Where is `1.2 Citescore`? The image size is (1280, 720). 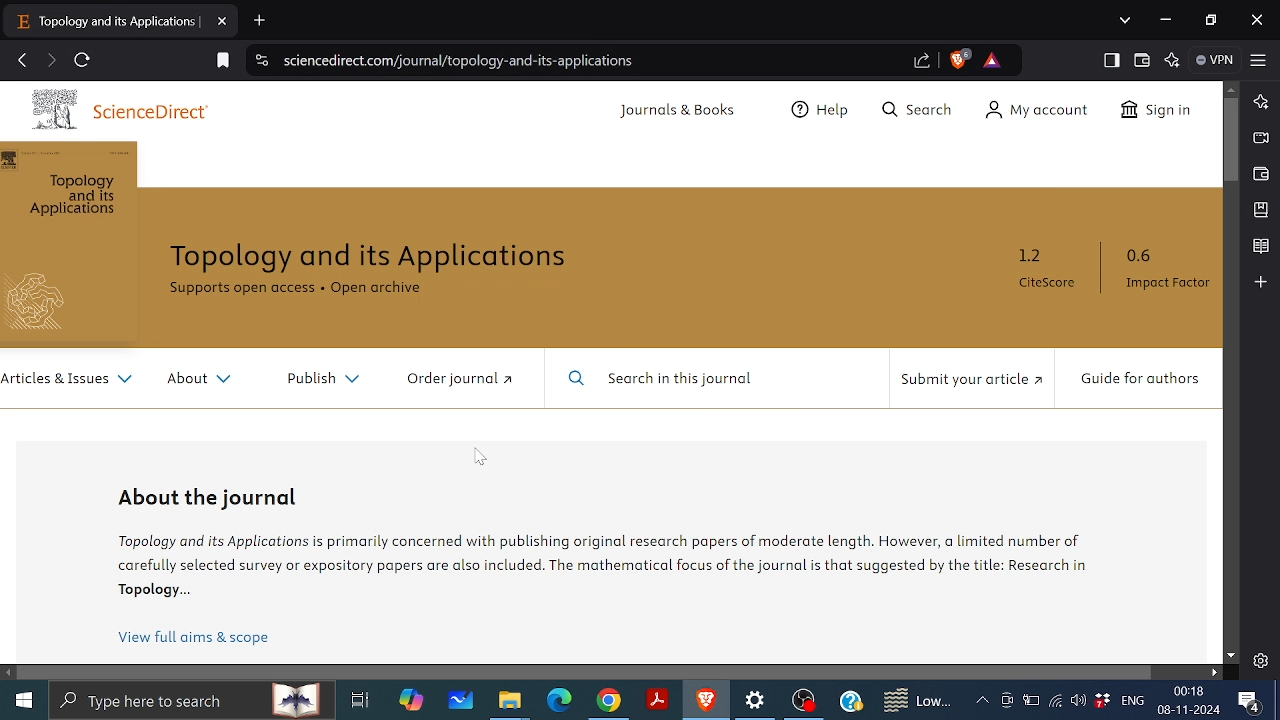 1.2 Citescore is located at coordinates (1053, 272).